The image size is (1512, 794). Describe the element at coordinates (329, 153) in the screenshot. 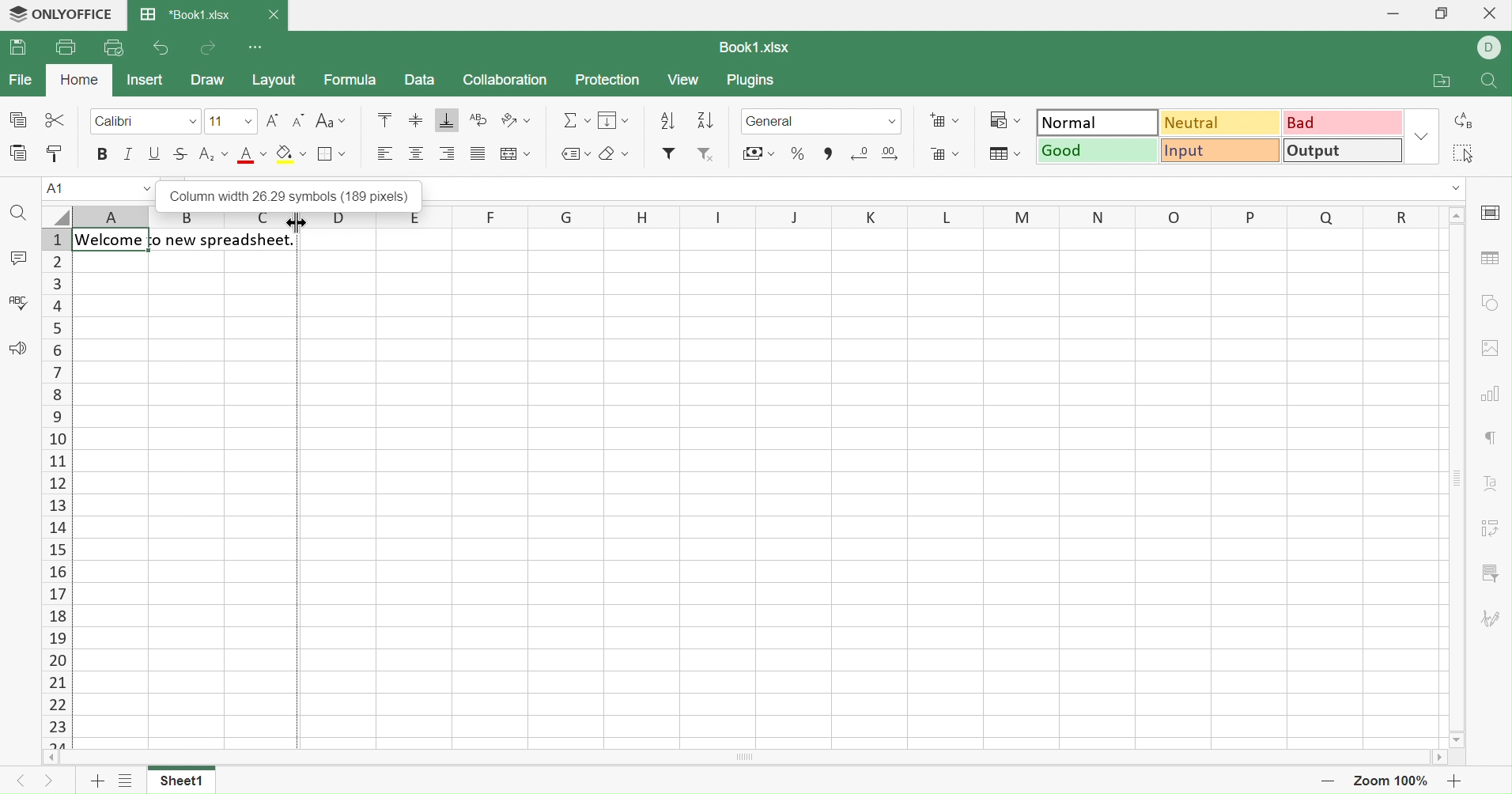

I see `Borders` at that location.